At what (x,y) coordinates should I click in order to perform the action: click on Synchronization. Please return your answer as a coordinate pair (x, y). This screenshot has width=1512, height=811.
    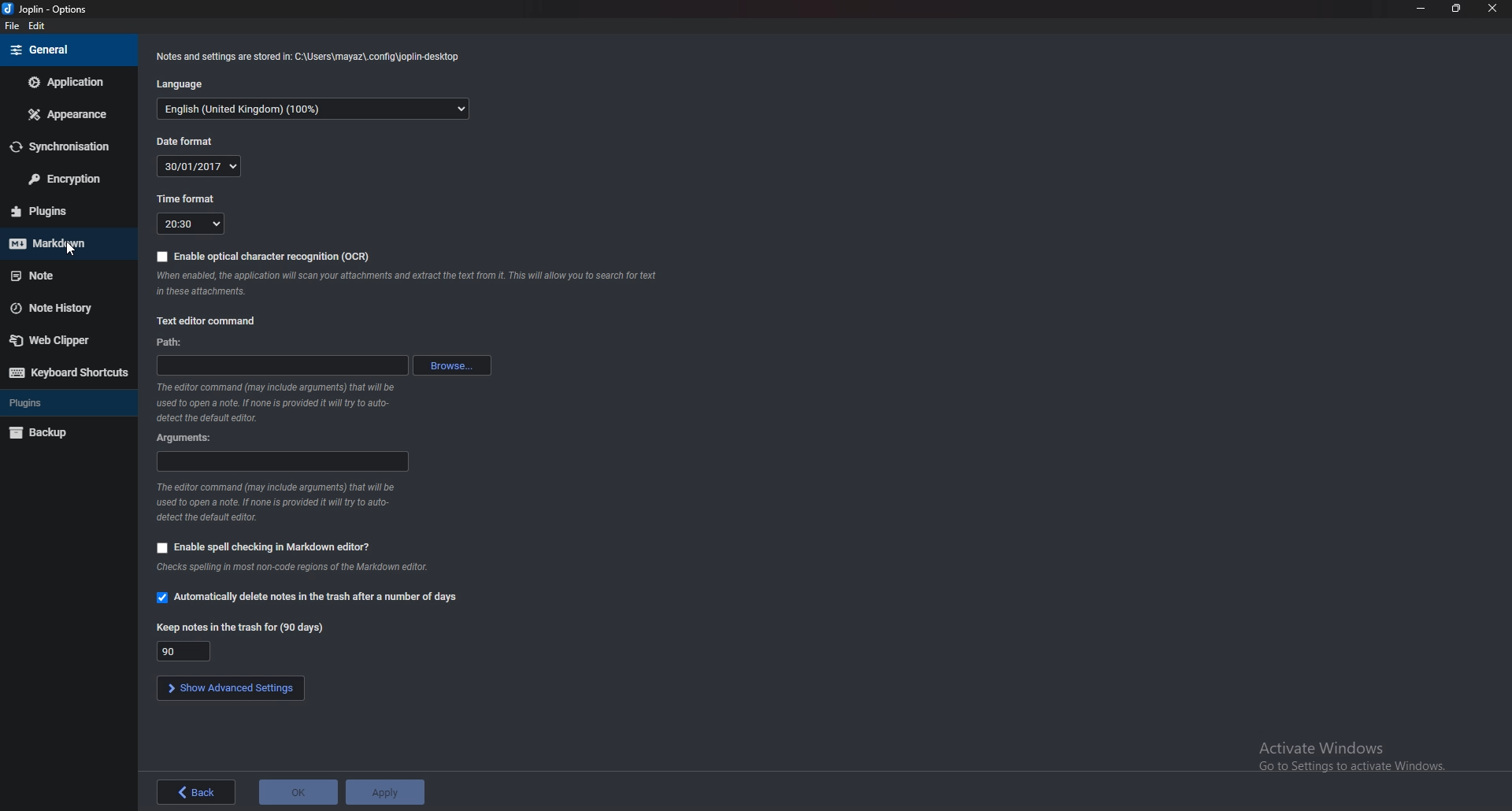
    Looking at the image, I should click on (67, 146).